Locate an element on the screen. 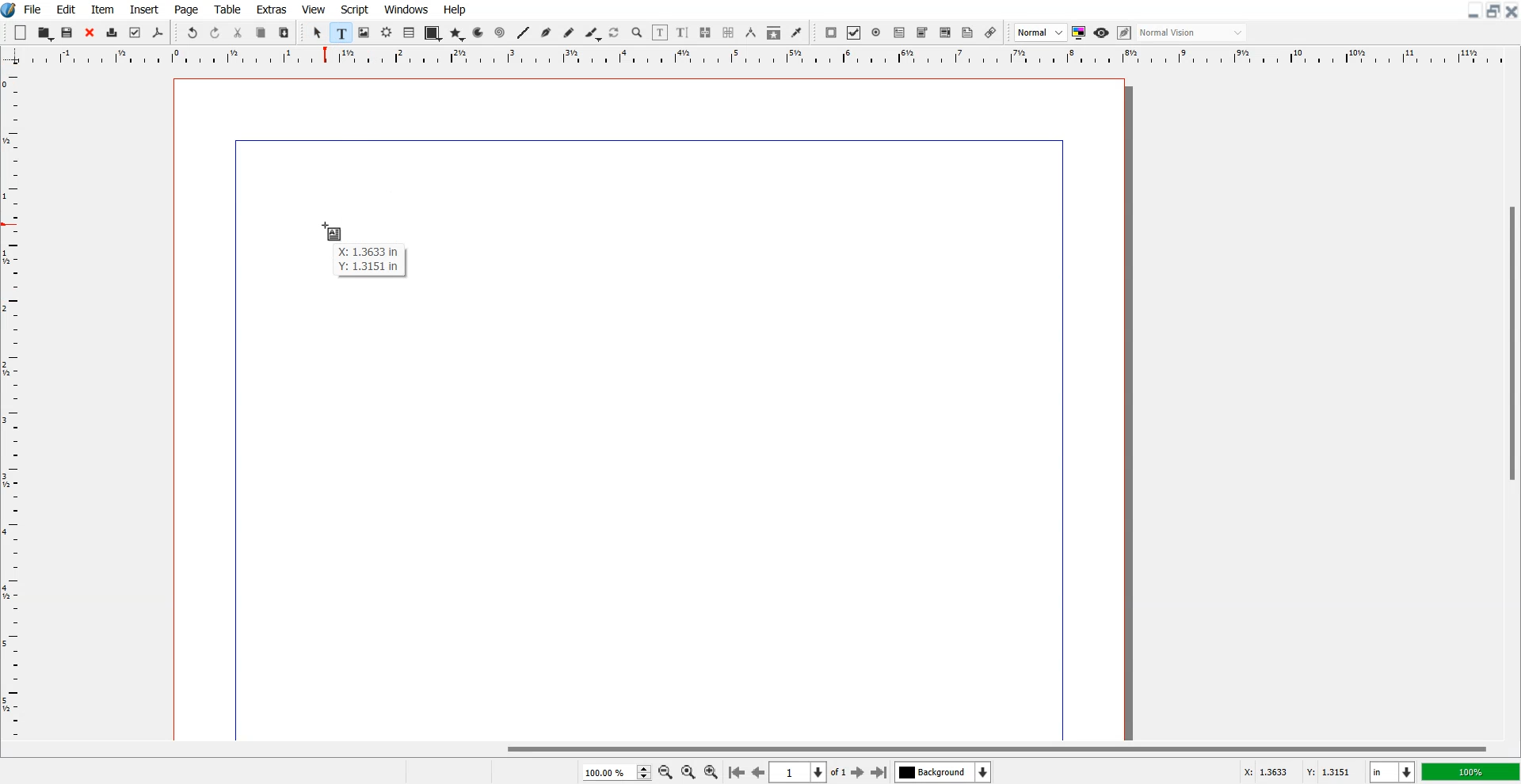 Image resolution: width=1521 pixels, height=784 pixels. Go to previous Page is located at coordinates (759, 771).